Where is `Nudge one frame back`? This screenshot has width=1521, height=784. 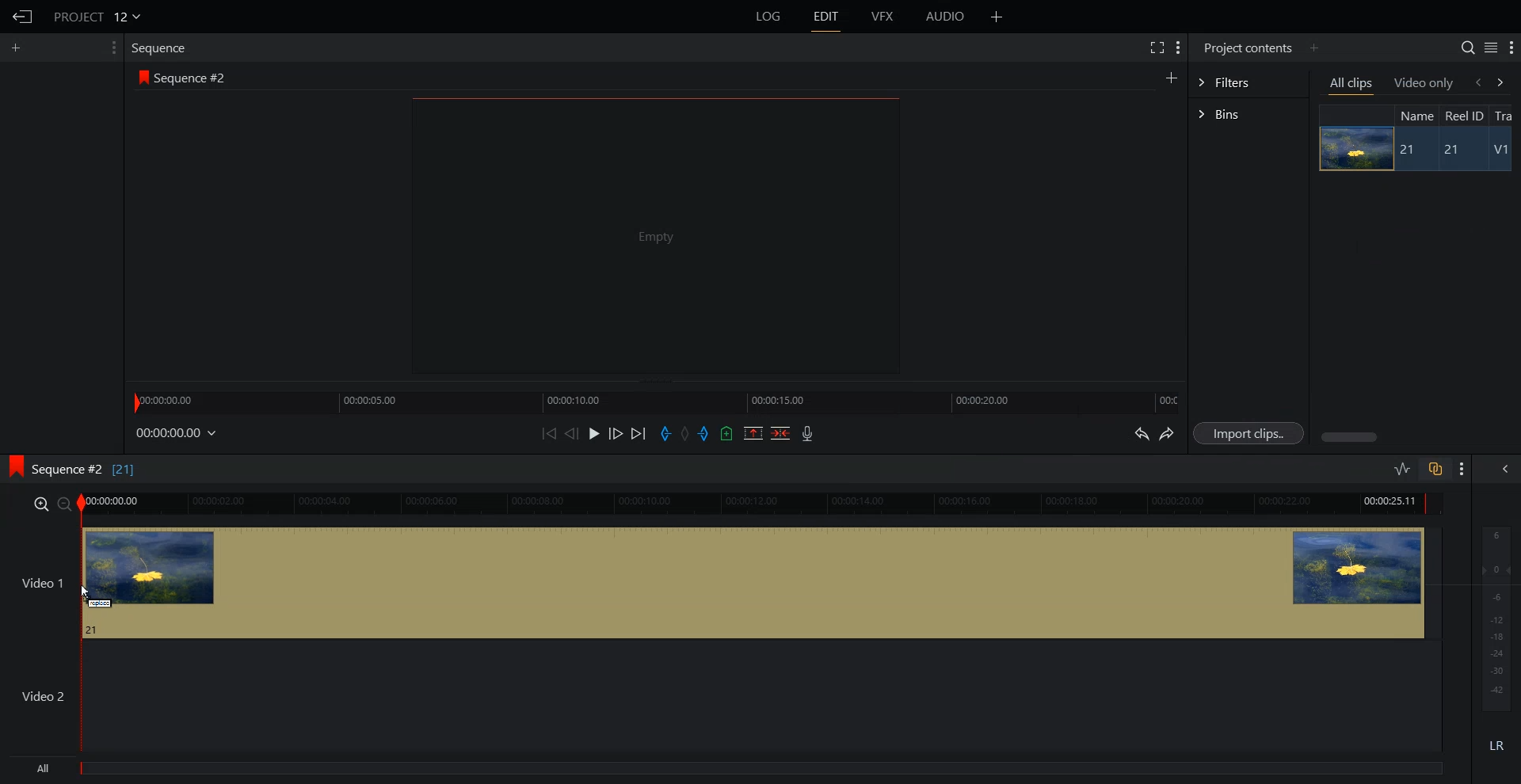 Nudge one frame back is located at coordinates (572, 433).